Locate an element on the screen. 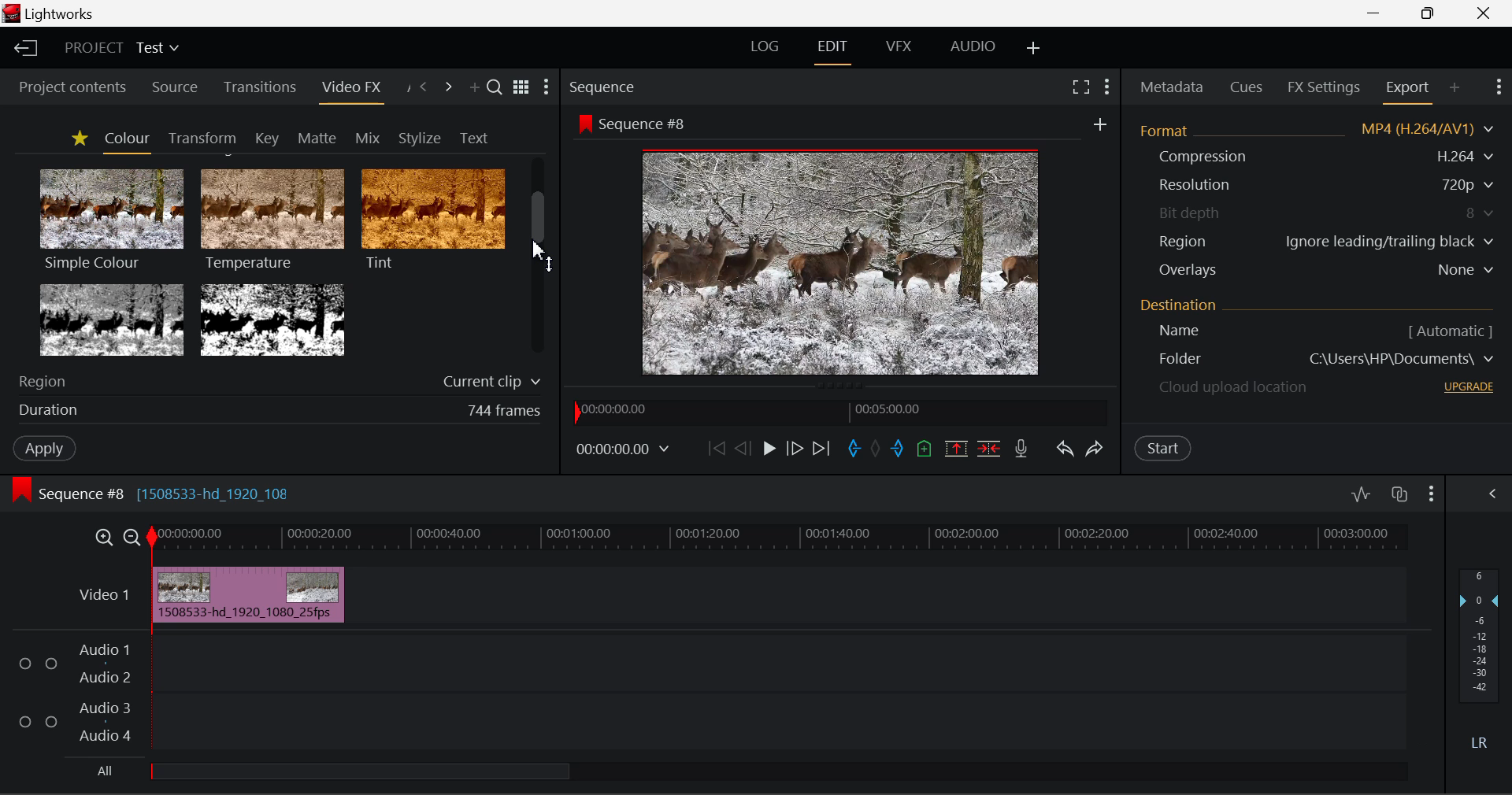 Image resolution: width=1512 pixels, height=795 pixels. 00:00:00.00 is located at coordinates (625, 449).